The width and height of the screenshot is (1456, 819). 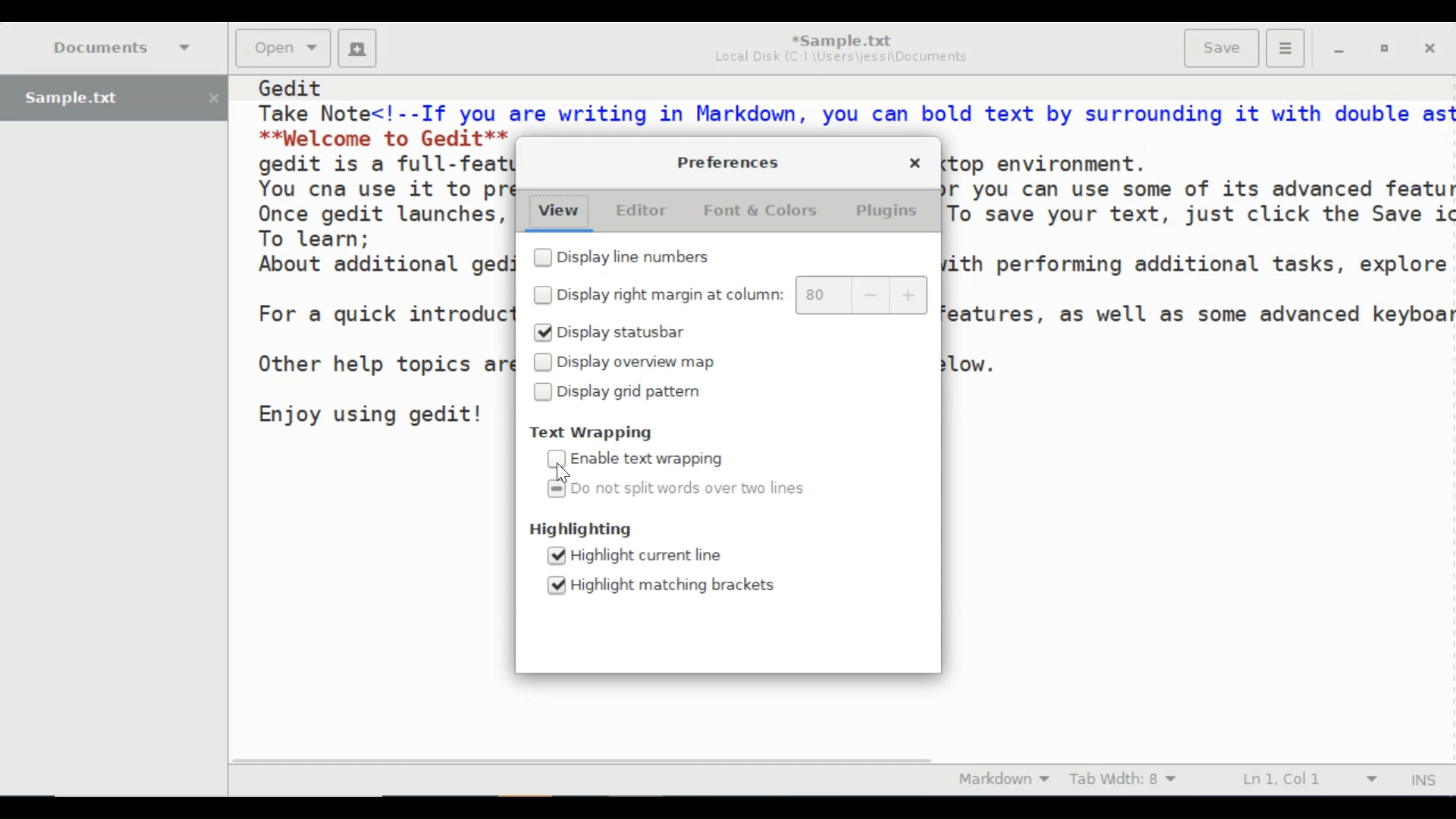 I want to click on (un)select Display margin at column , so click(x=658, y=294).